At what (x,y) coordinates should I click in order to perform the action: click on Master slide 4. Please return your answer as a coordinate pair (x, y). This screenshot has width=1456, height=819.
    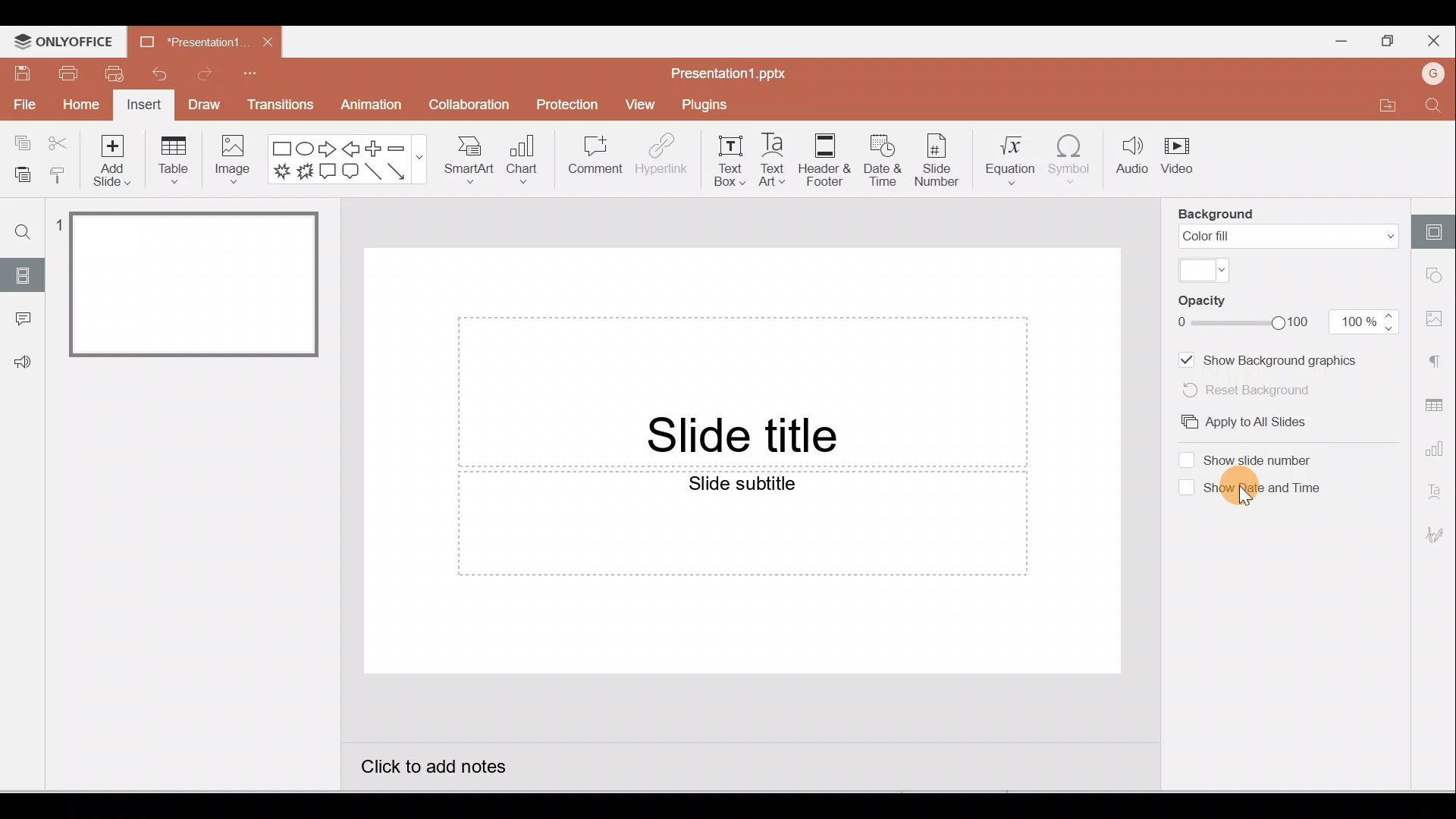
    Looking at the image, I should click on (212, 708).